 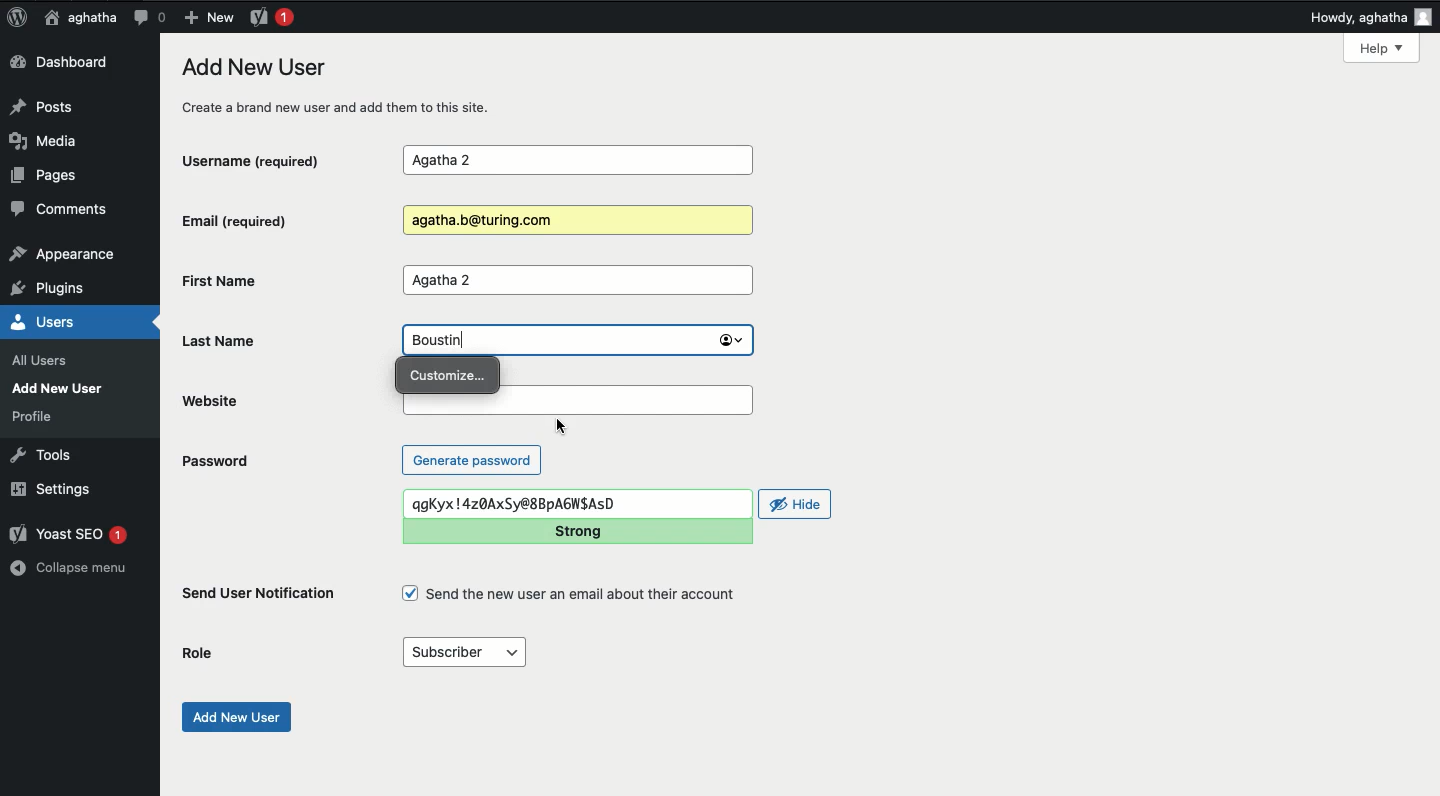 What do you see at coordinates (575, 341) in the screenshot?
I see `Boustin` at bounding box center [575, 341].